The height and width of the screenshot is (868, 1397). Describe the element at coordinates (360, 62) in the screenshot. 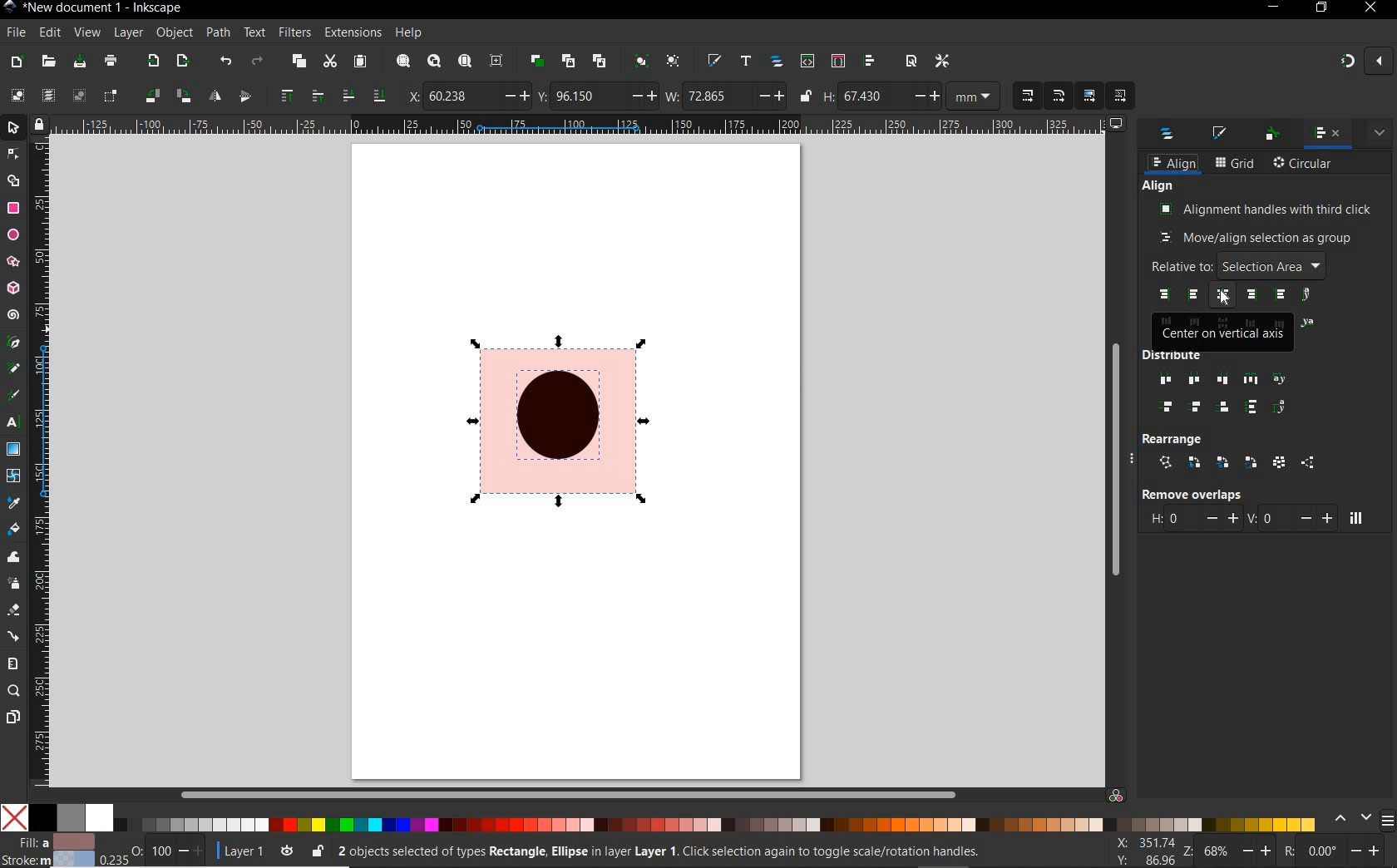

I see `paste` at that location.